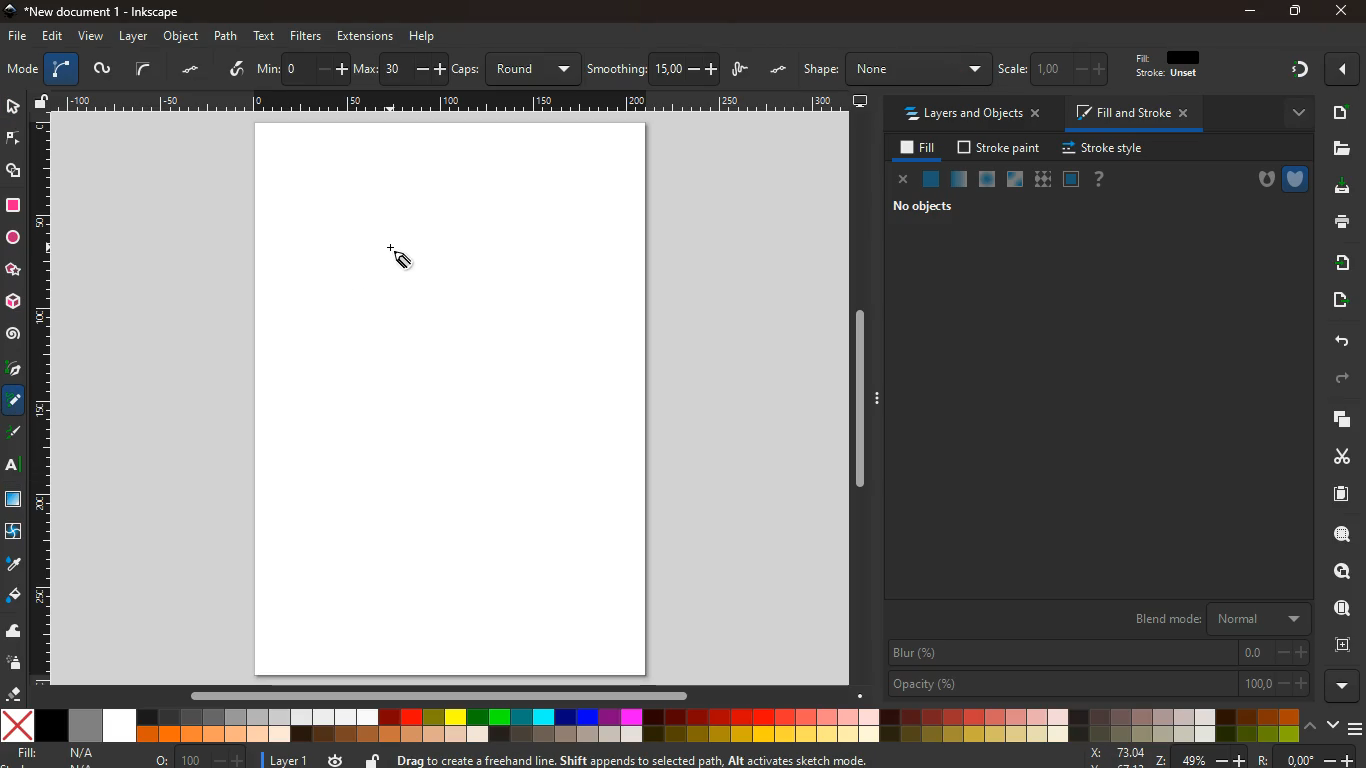 The width and height of the screenshot is (1366, 768). What do you see at coordinates (1100, 653) in the screenshot?
I see `blur` at bounding box center [1100, 653].